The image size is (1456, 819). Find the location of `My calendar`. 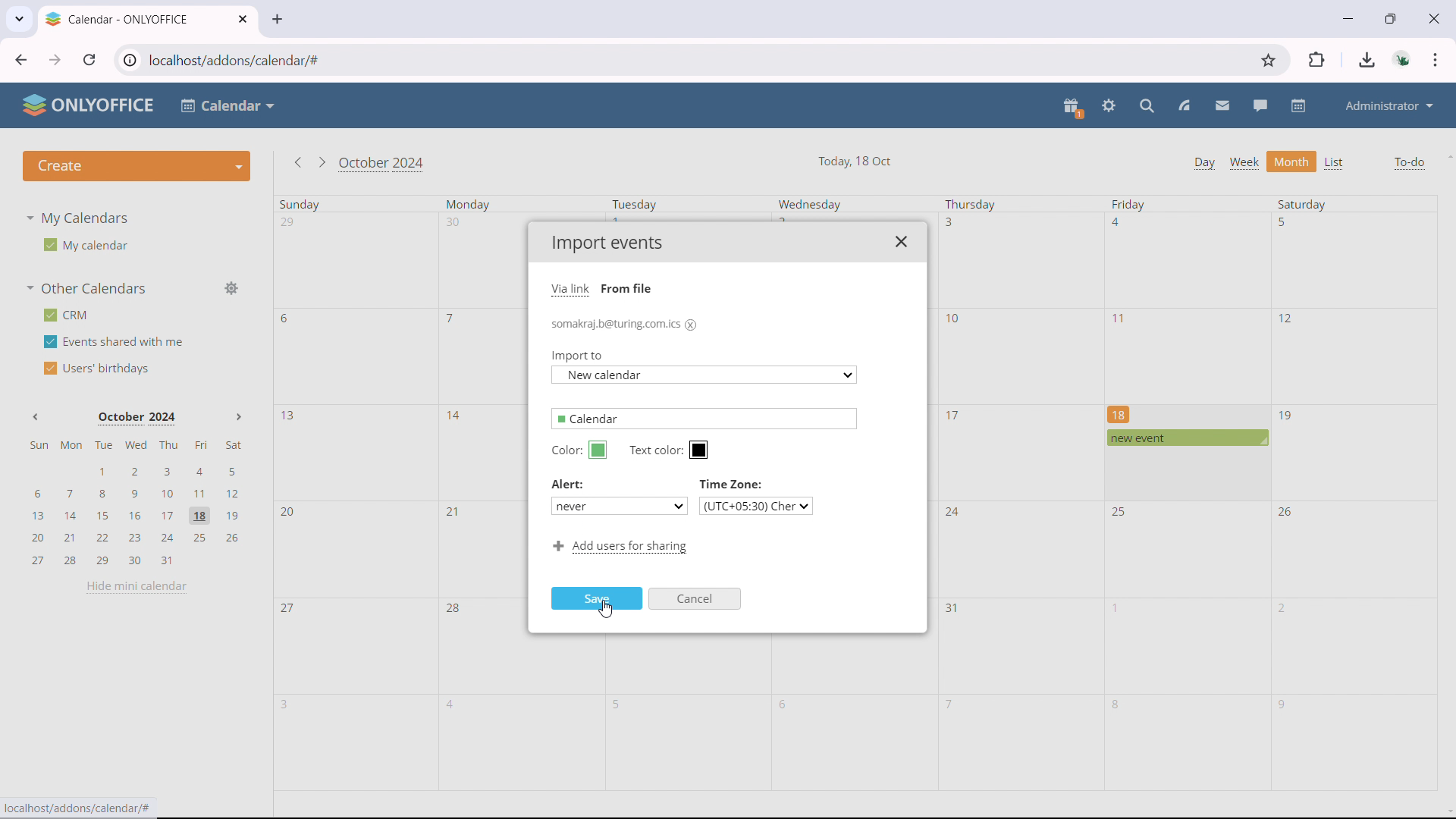

My calendar is located at coordinates (87, 246).